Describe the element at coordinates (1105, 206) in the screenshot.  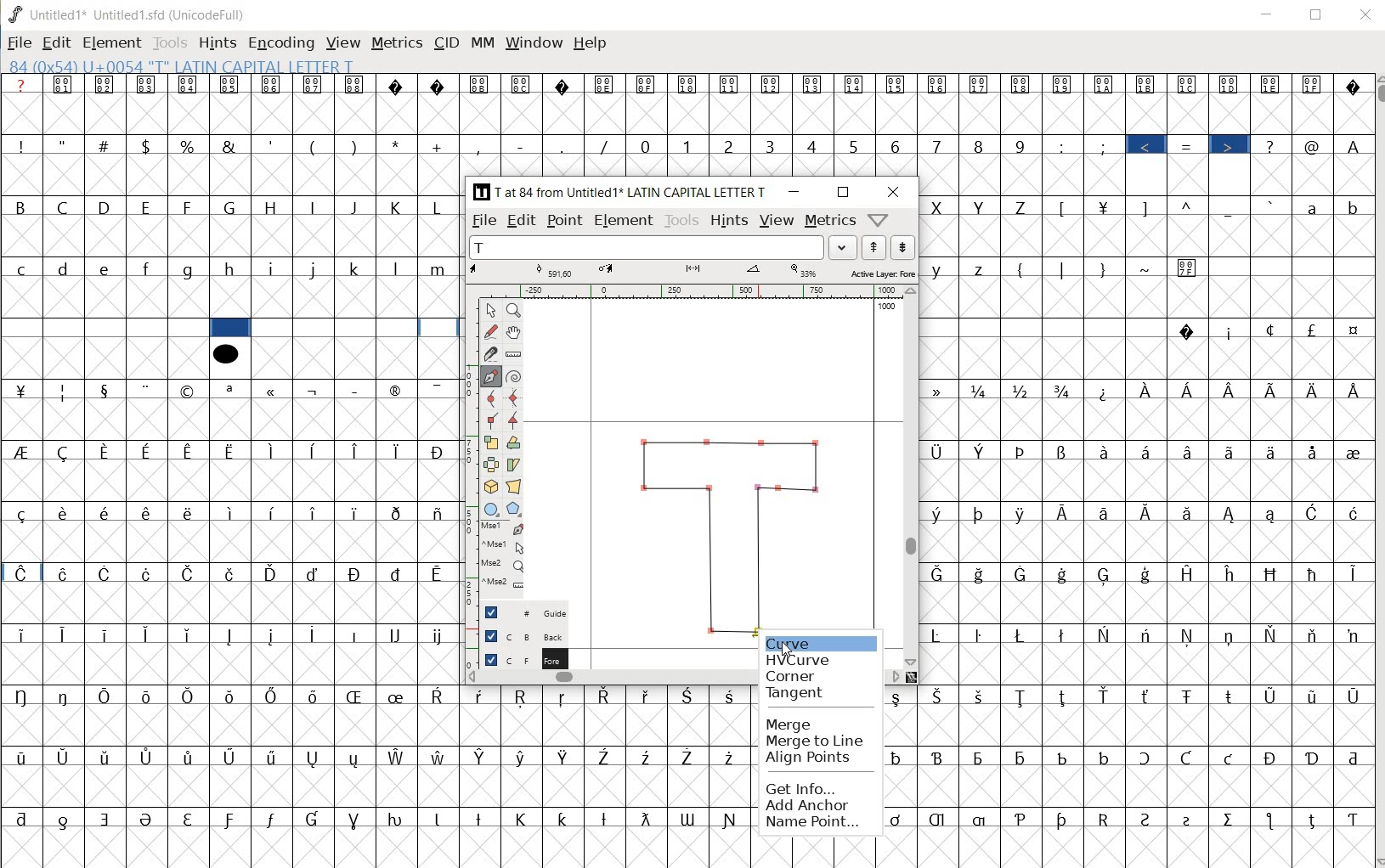
I see `Symbol` at that location.